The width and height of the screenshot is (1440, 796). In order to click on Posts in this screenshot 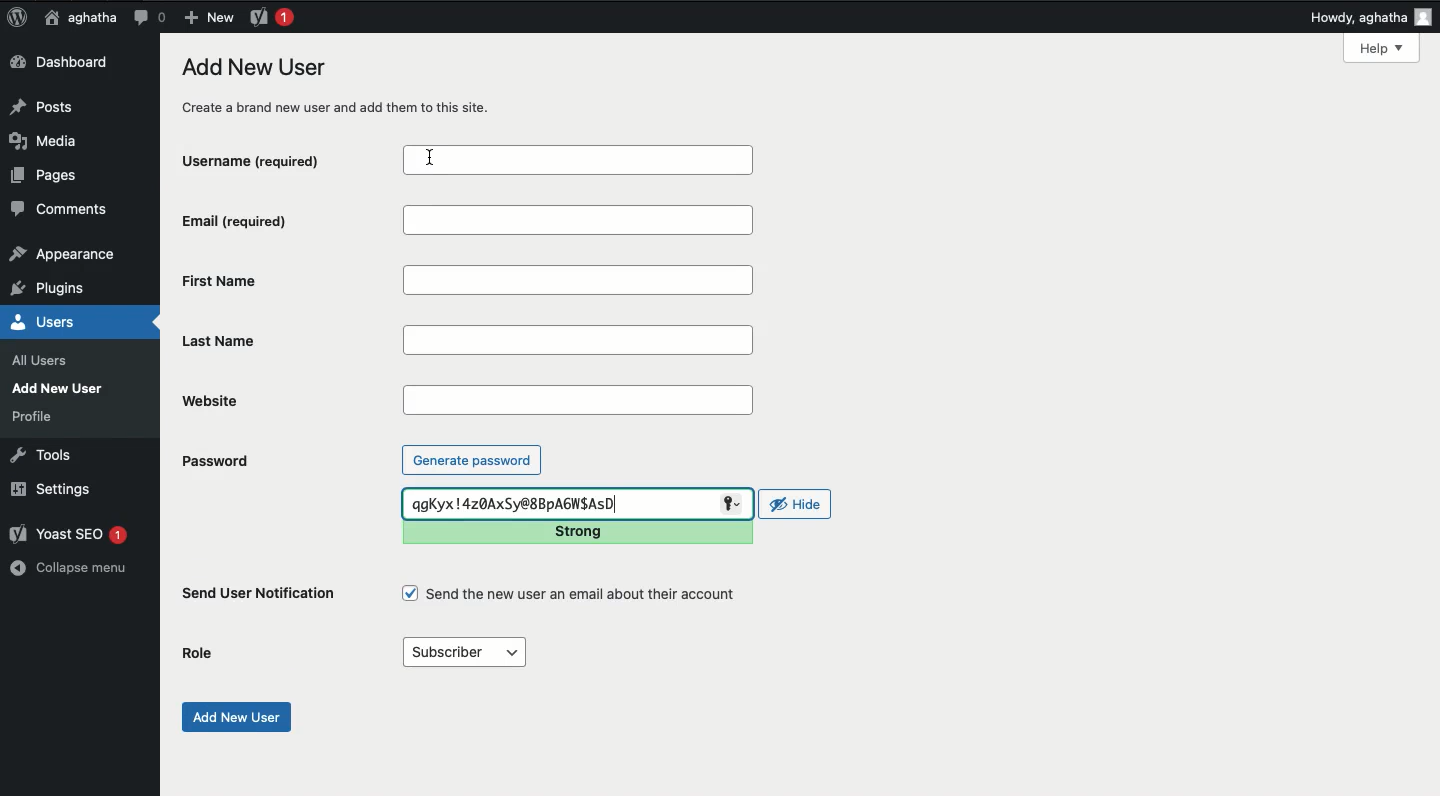, I will do `click(47, 105)`.